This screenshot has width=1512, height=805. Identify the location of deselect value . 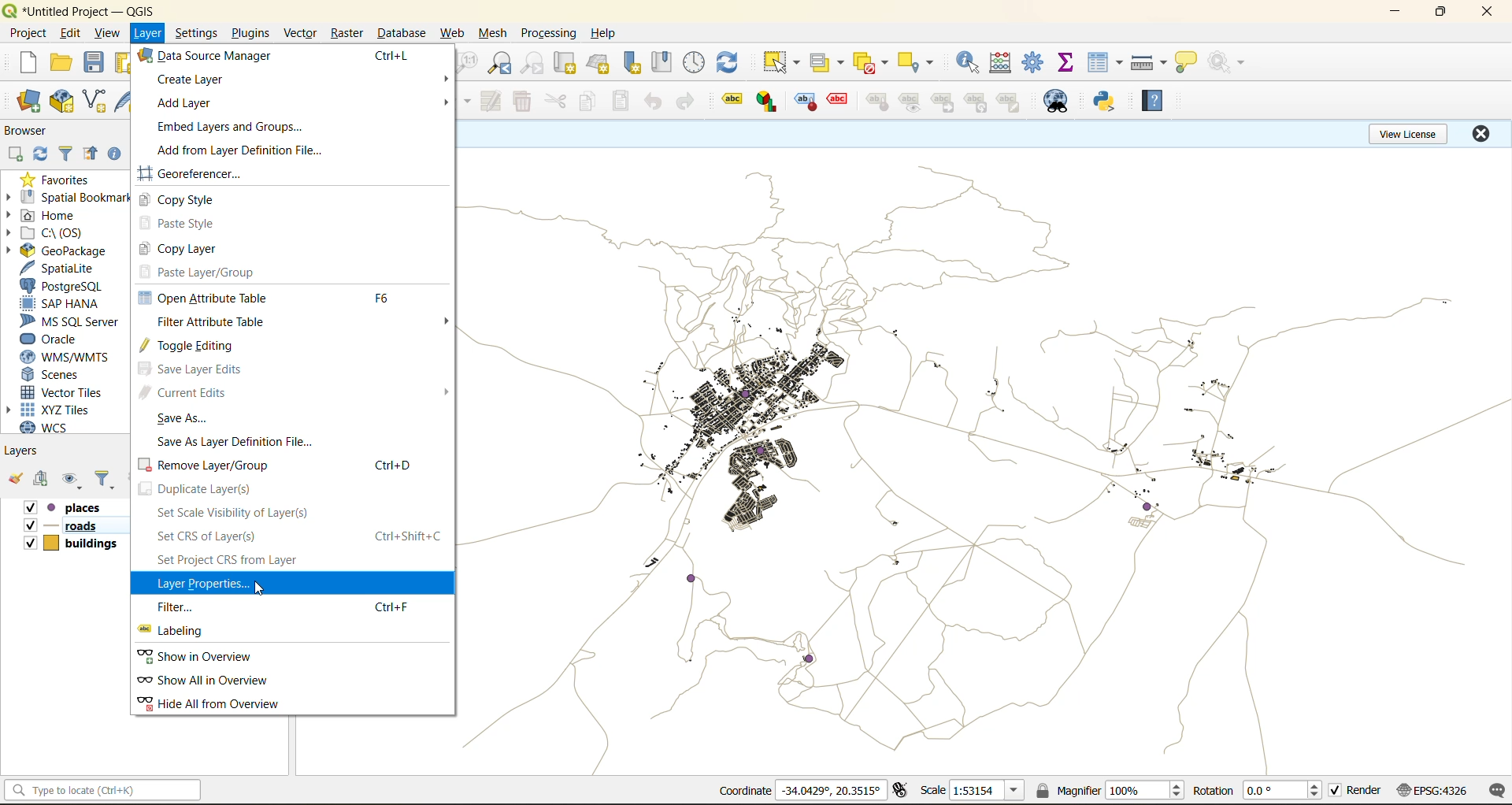
(870, 65).